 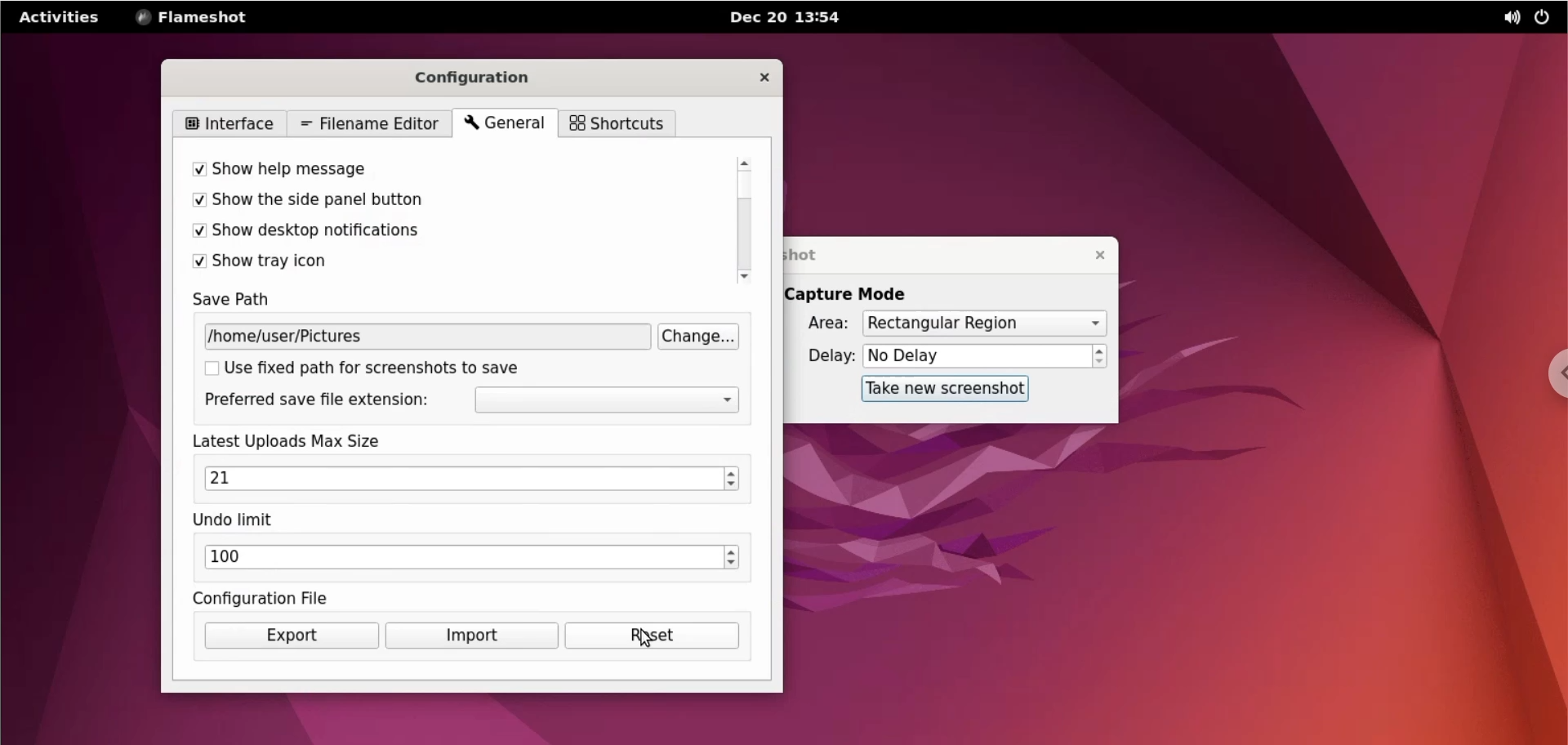 I want to click on show help message checkbox, so click(x=450, y=169).